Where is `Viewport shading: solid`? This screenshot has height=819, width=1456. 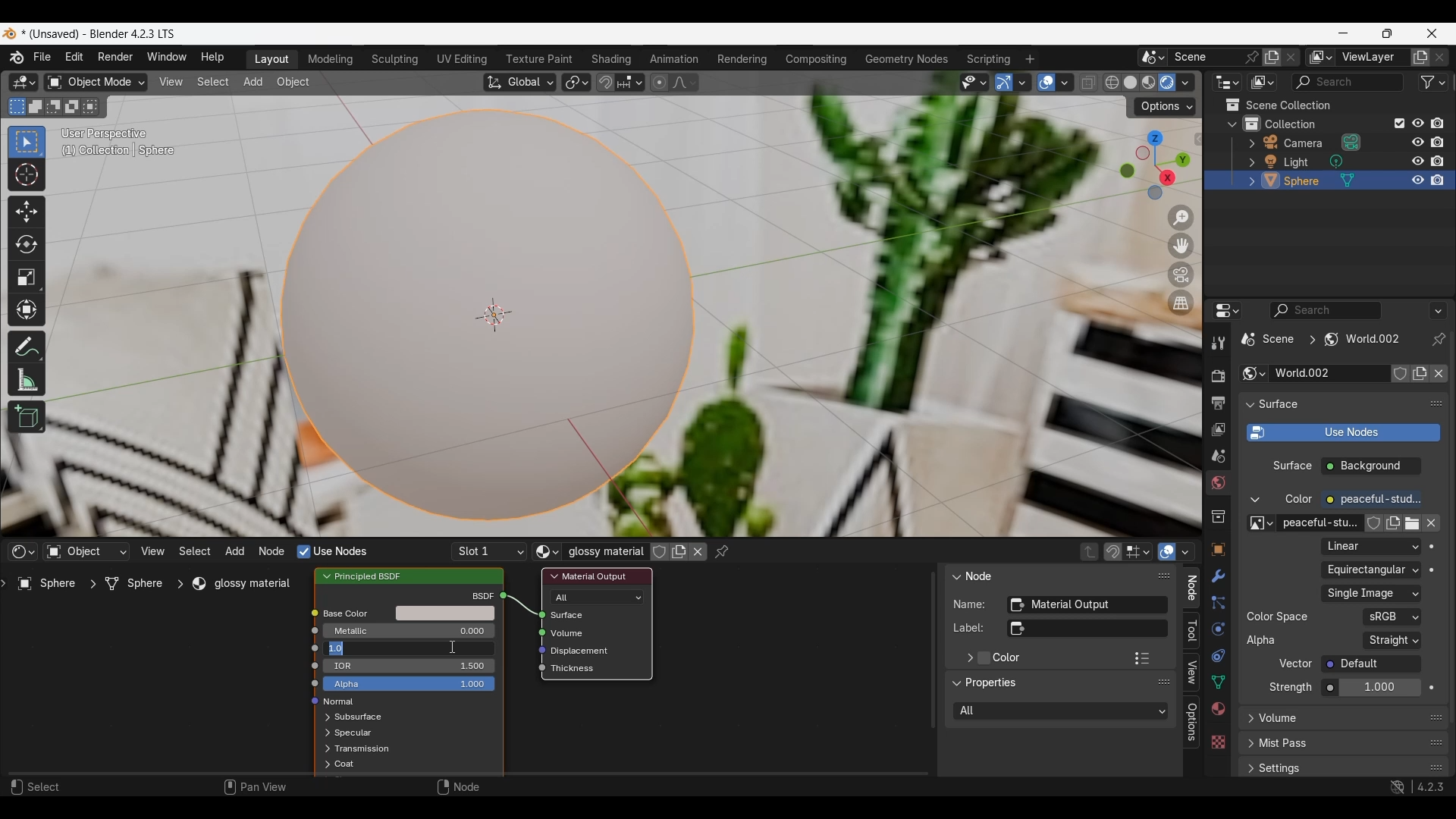 Viewport shading: solid is located at coordinates (1130, 82).